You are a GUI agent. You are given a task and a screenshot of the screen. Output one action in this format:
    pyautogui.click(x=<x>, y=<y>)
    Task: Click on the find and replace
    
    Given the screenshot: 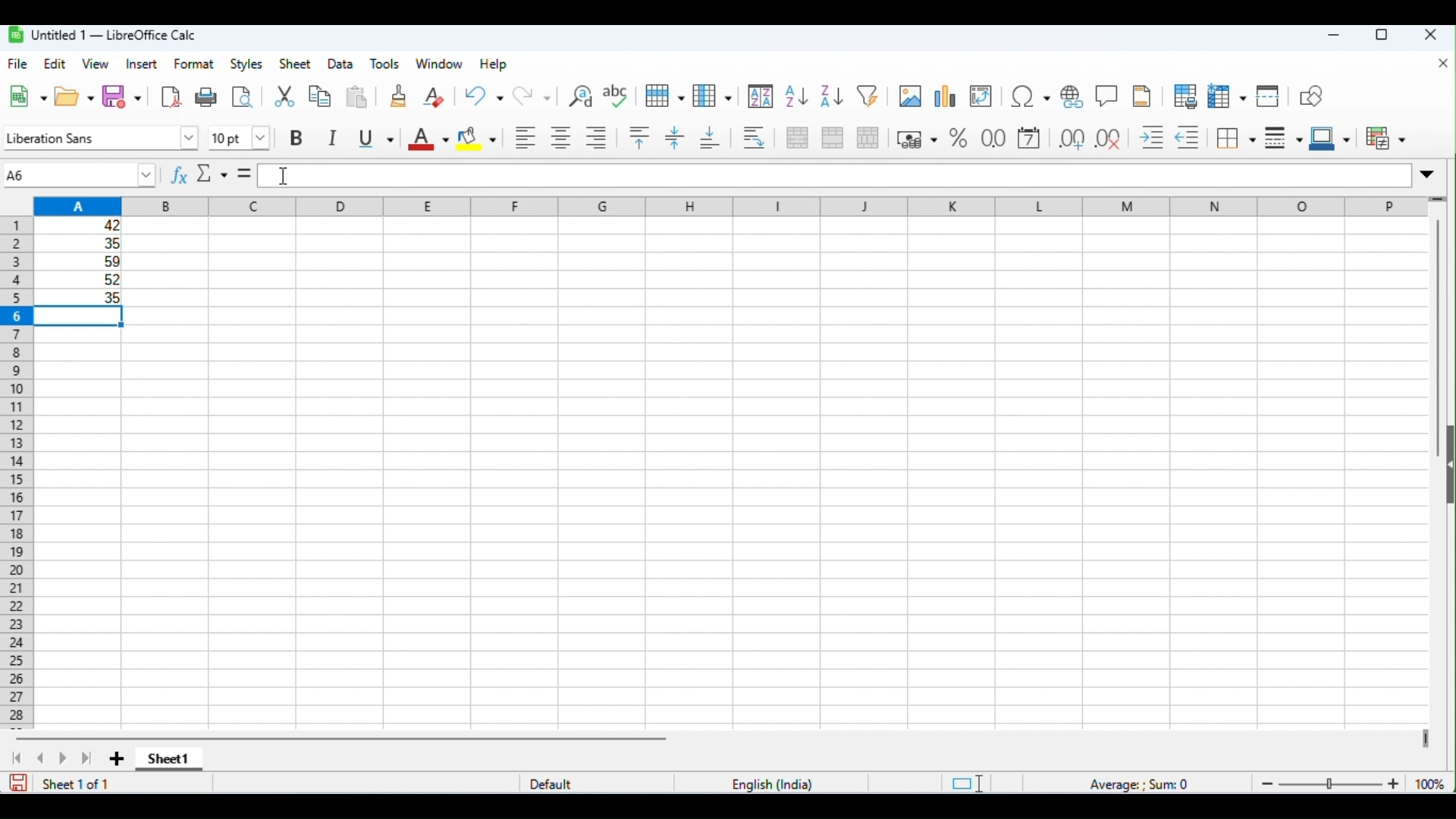 What is the action you would take?
    pyautogui.click(x=577, y=95)
    